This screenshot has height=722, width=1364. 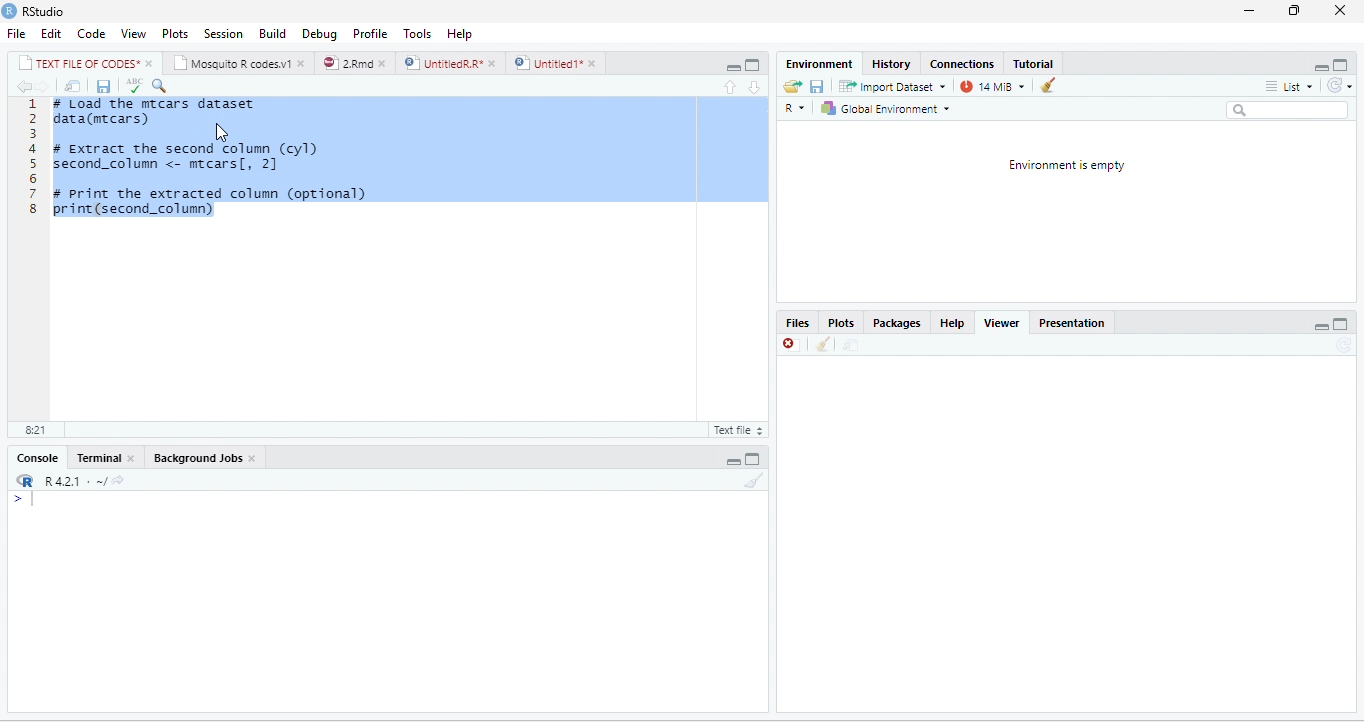 What do you see at coordinates (346, 63) in the screenshot?
I see `2Rmd` at bounding box center [346, 63].